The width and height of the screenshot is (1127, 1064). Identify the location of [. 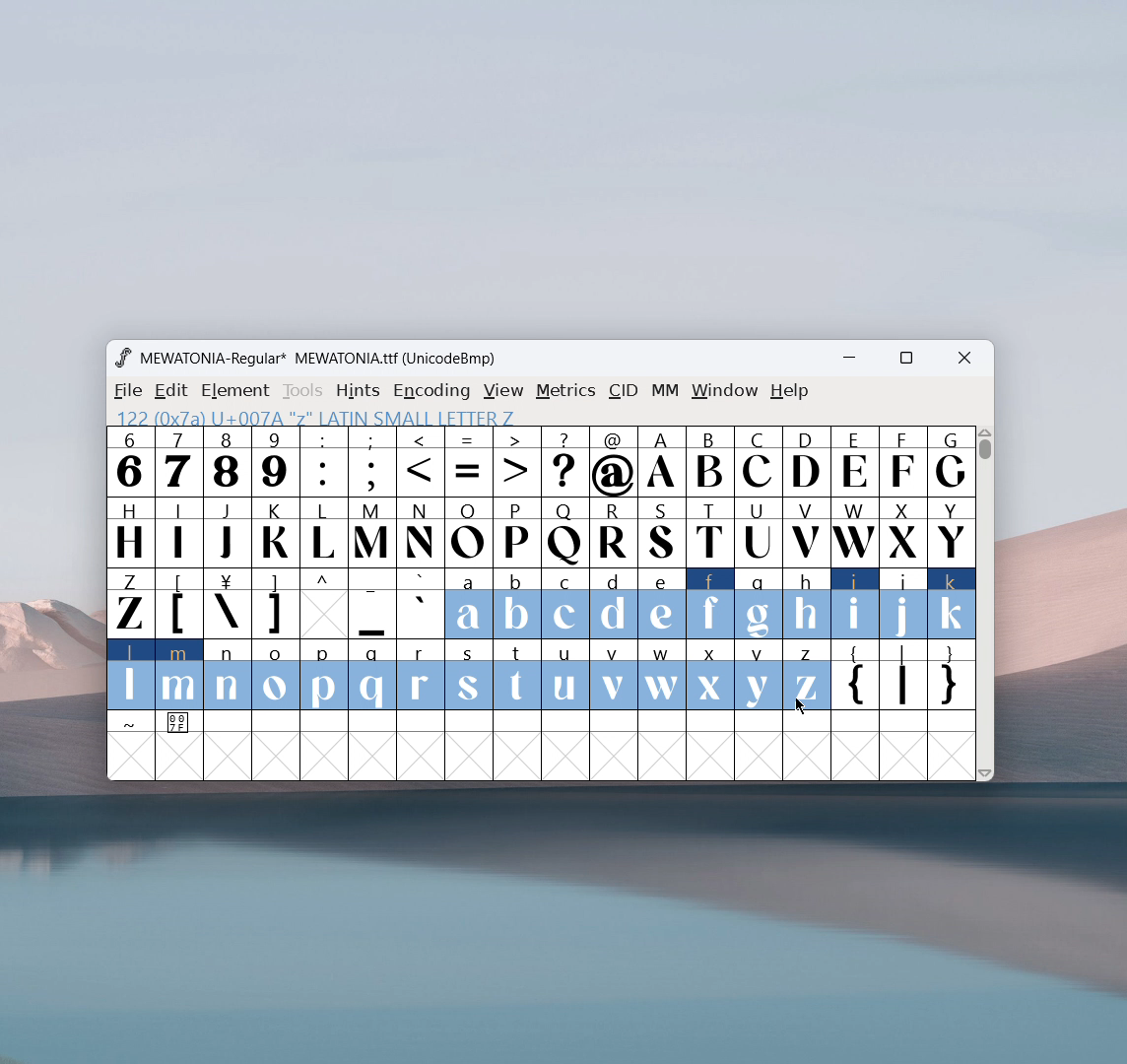
(179, 604).